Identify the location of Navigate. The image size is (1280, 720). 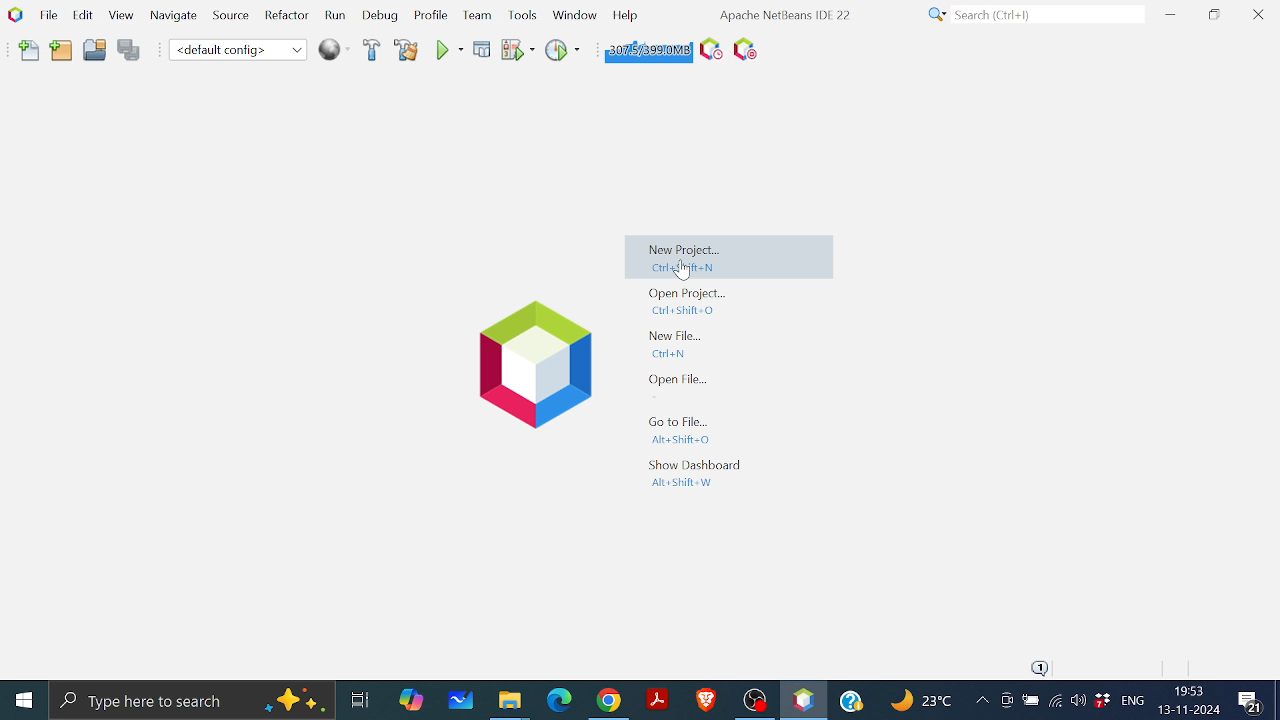
(174, 19).